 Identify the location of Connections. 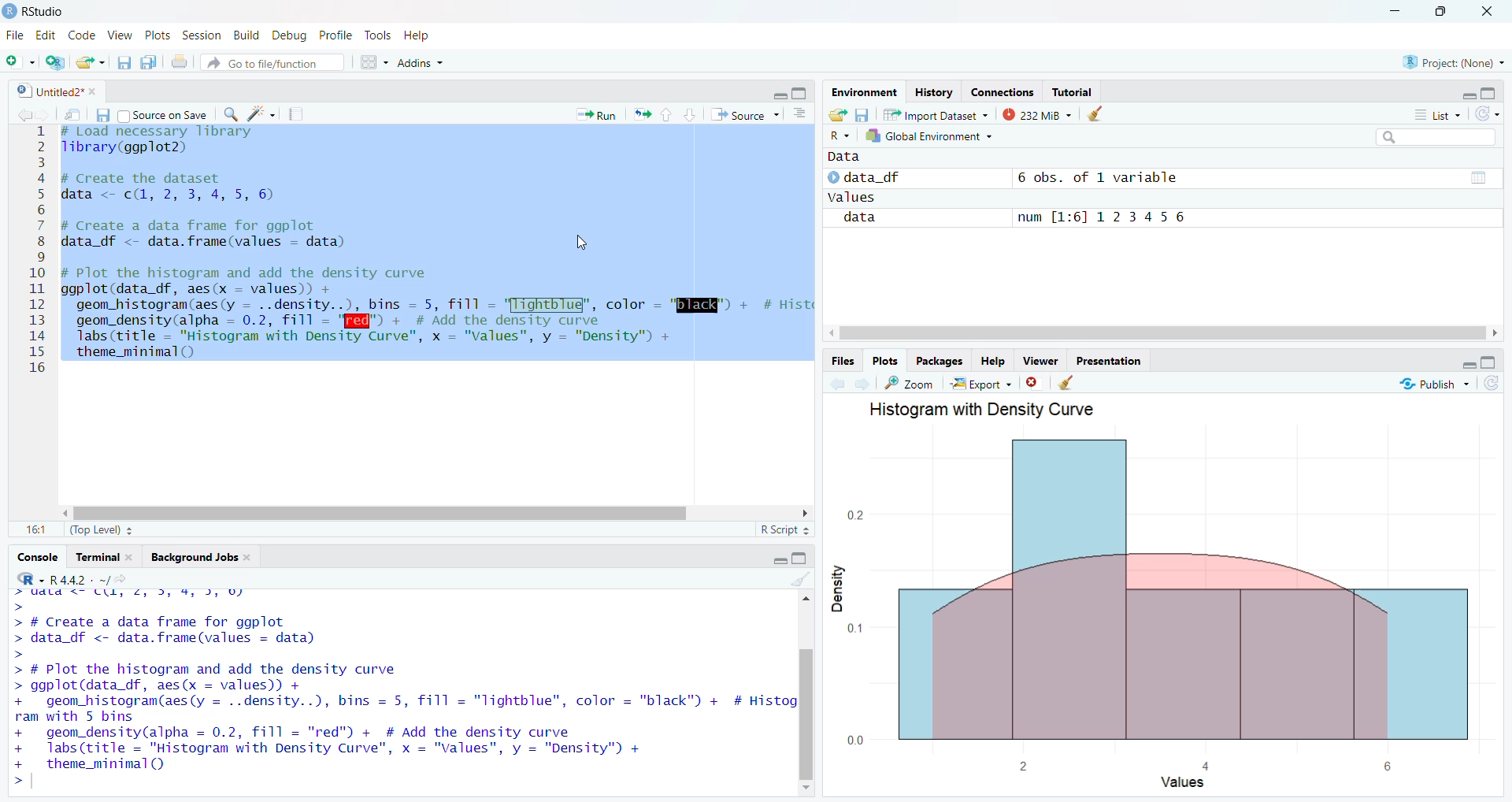
(1002, 91).